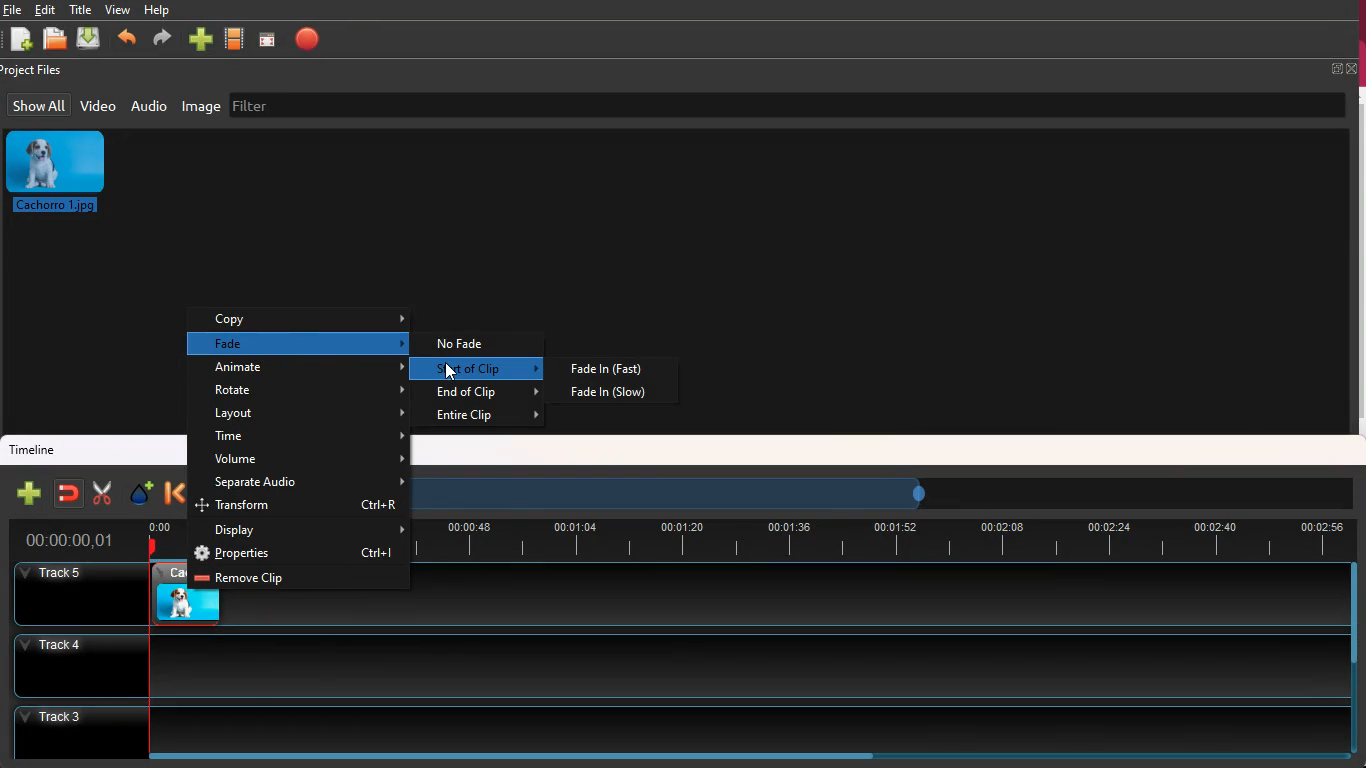 The width and height of the screenshot is (1366, 768). I want to click on no fade, so click(474, 343).